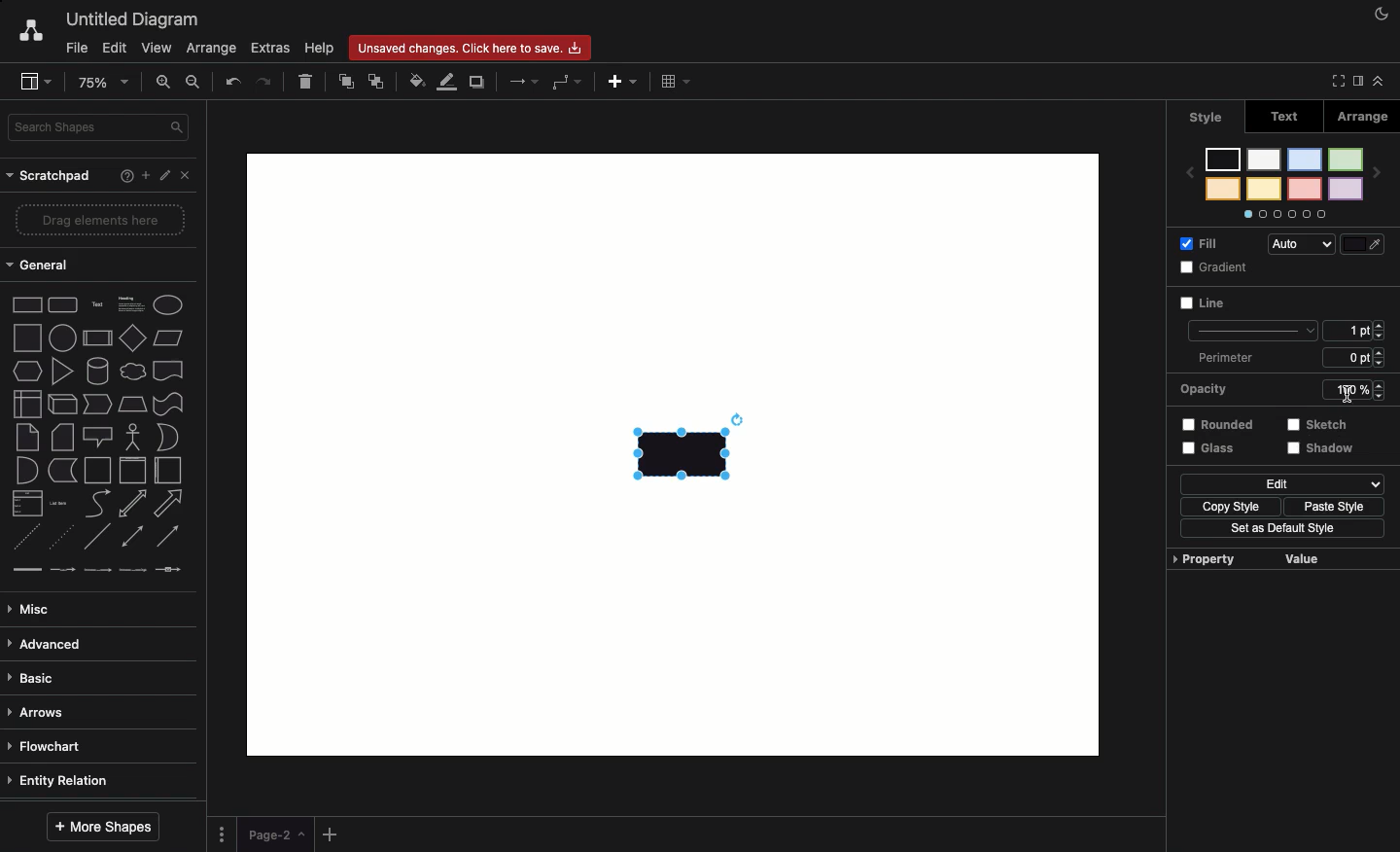  What do you see at coordinates (1220, 424) in the screenshot?
I see `Rounded` at bounding box center [1220, 424].